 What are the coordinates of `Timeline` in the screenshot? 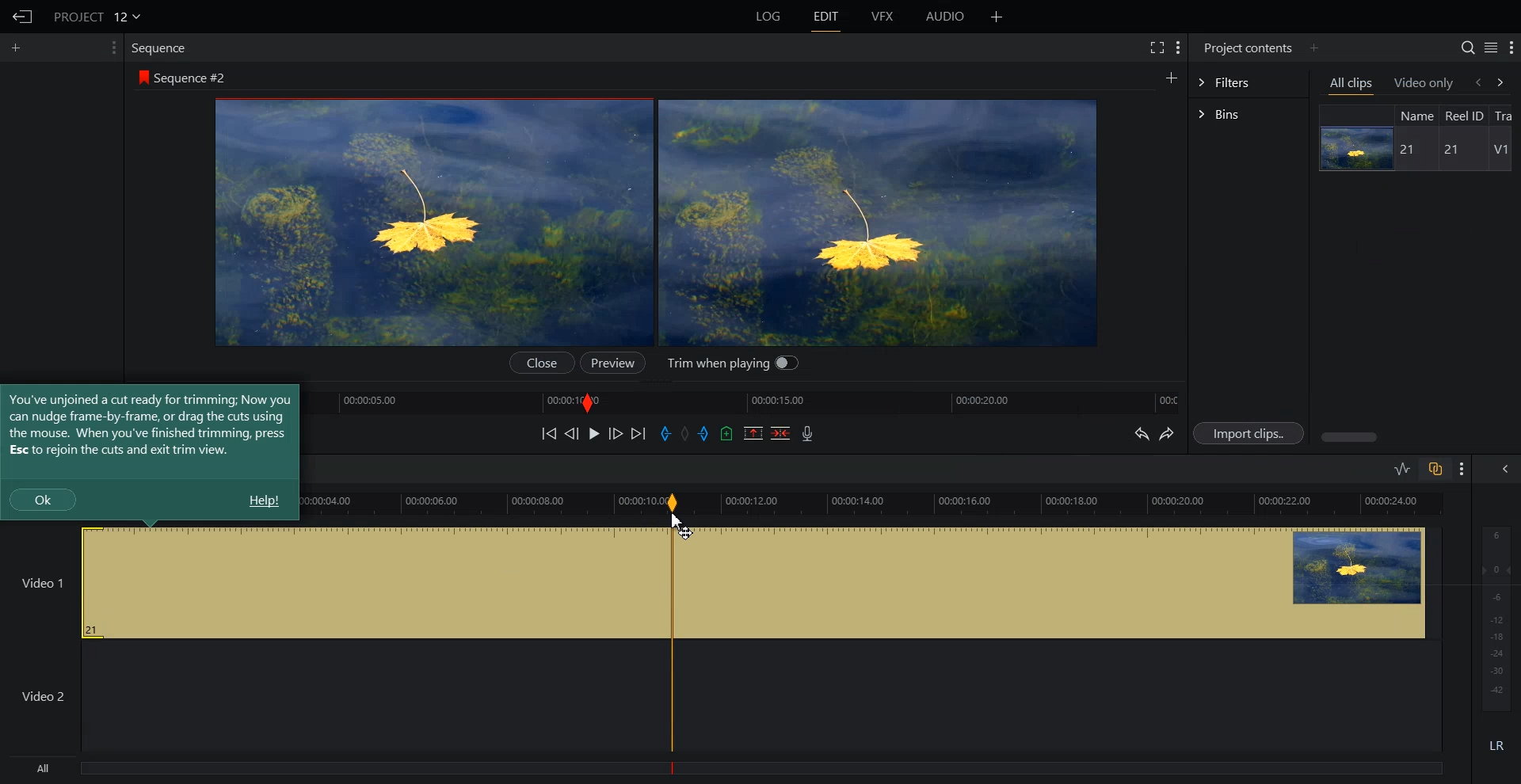 It's located at (750, 401).